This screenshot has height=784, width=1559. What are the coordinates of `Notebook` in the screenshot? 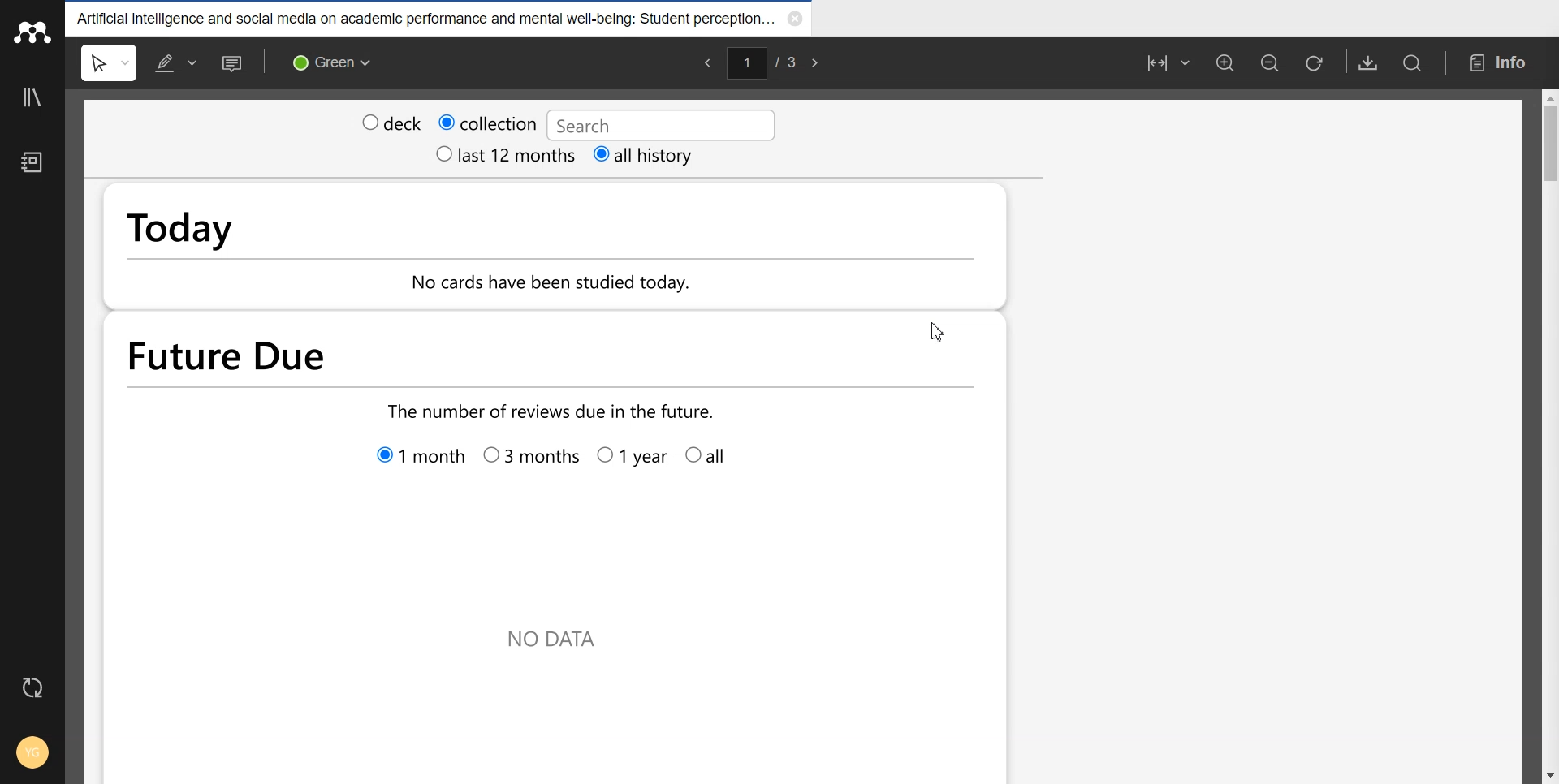 It's located at (32, 164).